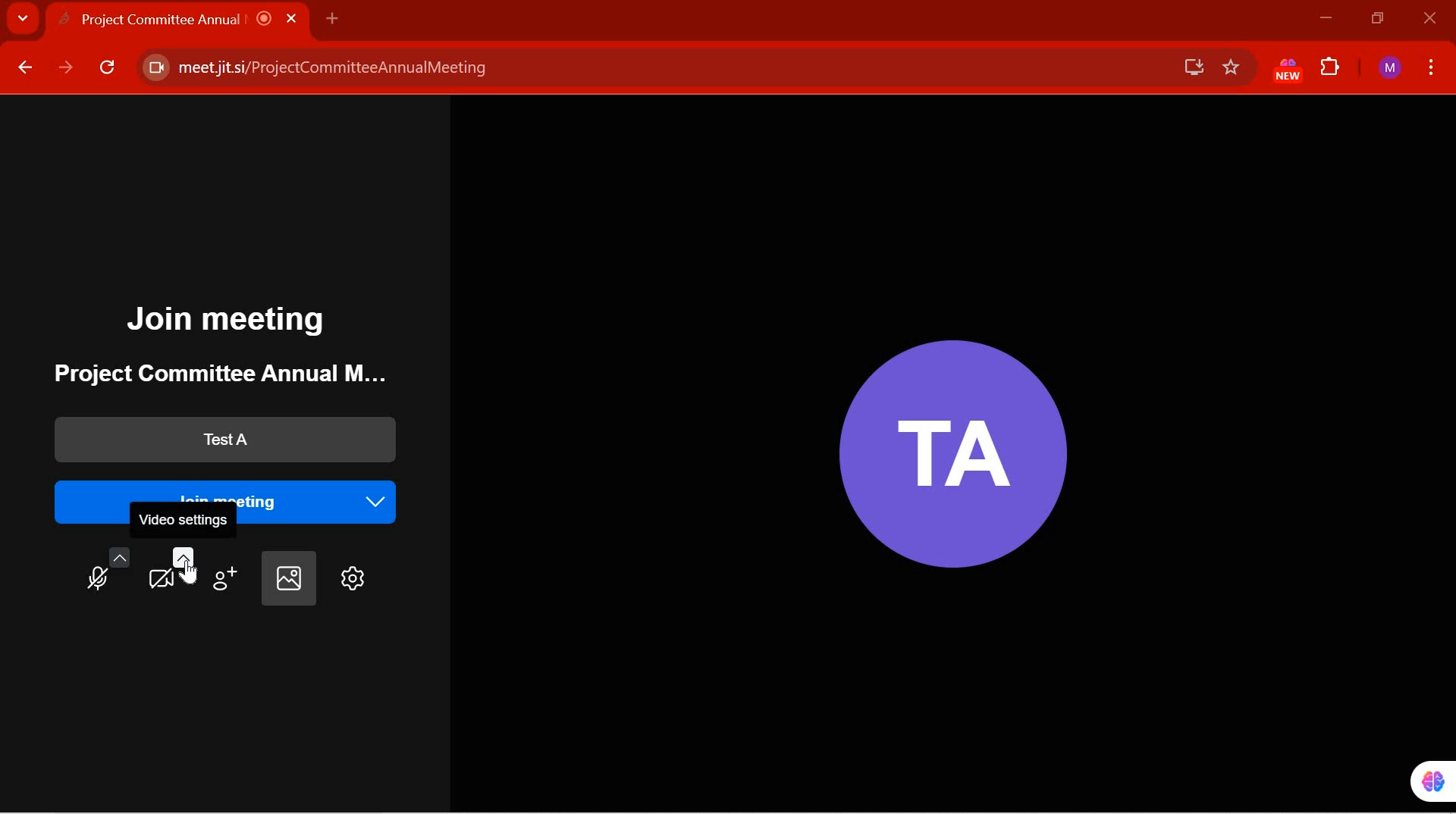 The height and width of the screenshot is (814, 1456). Describe the element at coordinates (332, 17) in the screenshot. I see `ADD NEW TAB` at that location.